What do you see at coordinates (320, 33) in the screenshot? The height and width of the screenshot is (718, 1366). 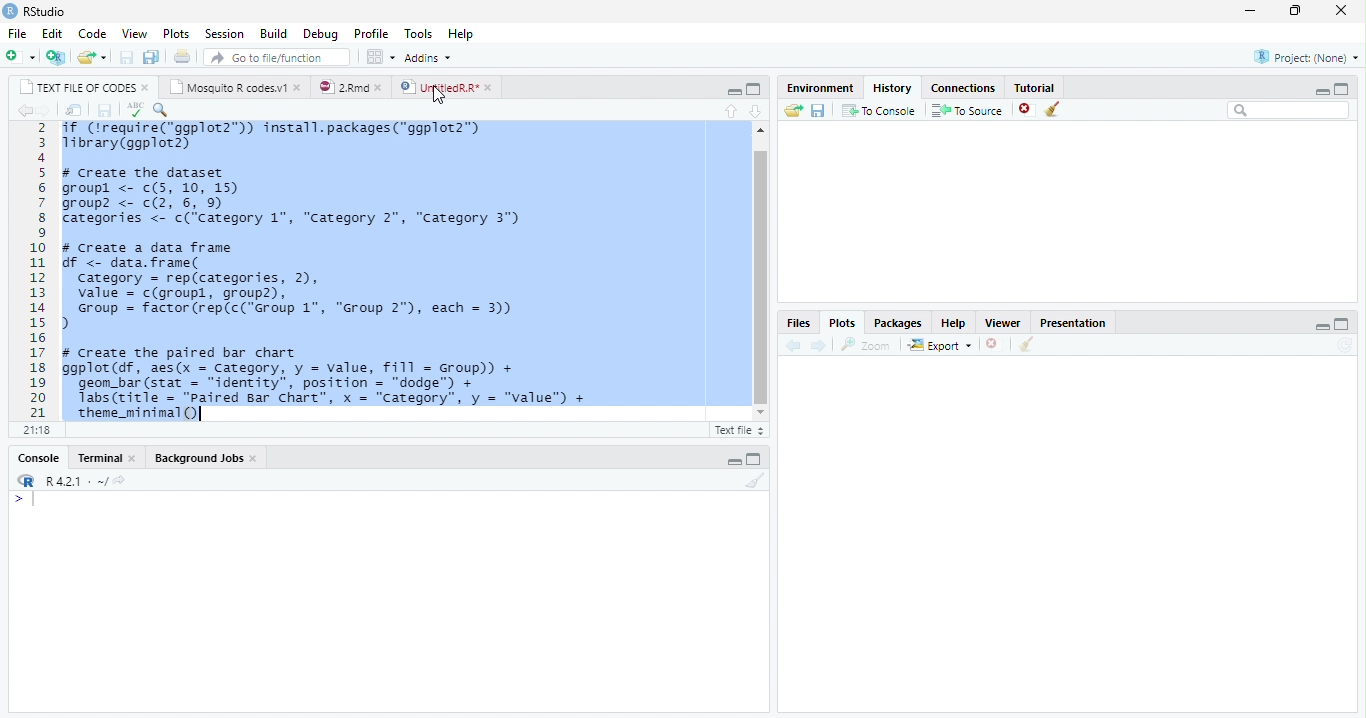 I see `debug` at bounding box center [320, 33].